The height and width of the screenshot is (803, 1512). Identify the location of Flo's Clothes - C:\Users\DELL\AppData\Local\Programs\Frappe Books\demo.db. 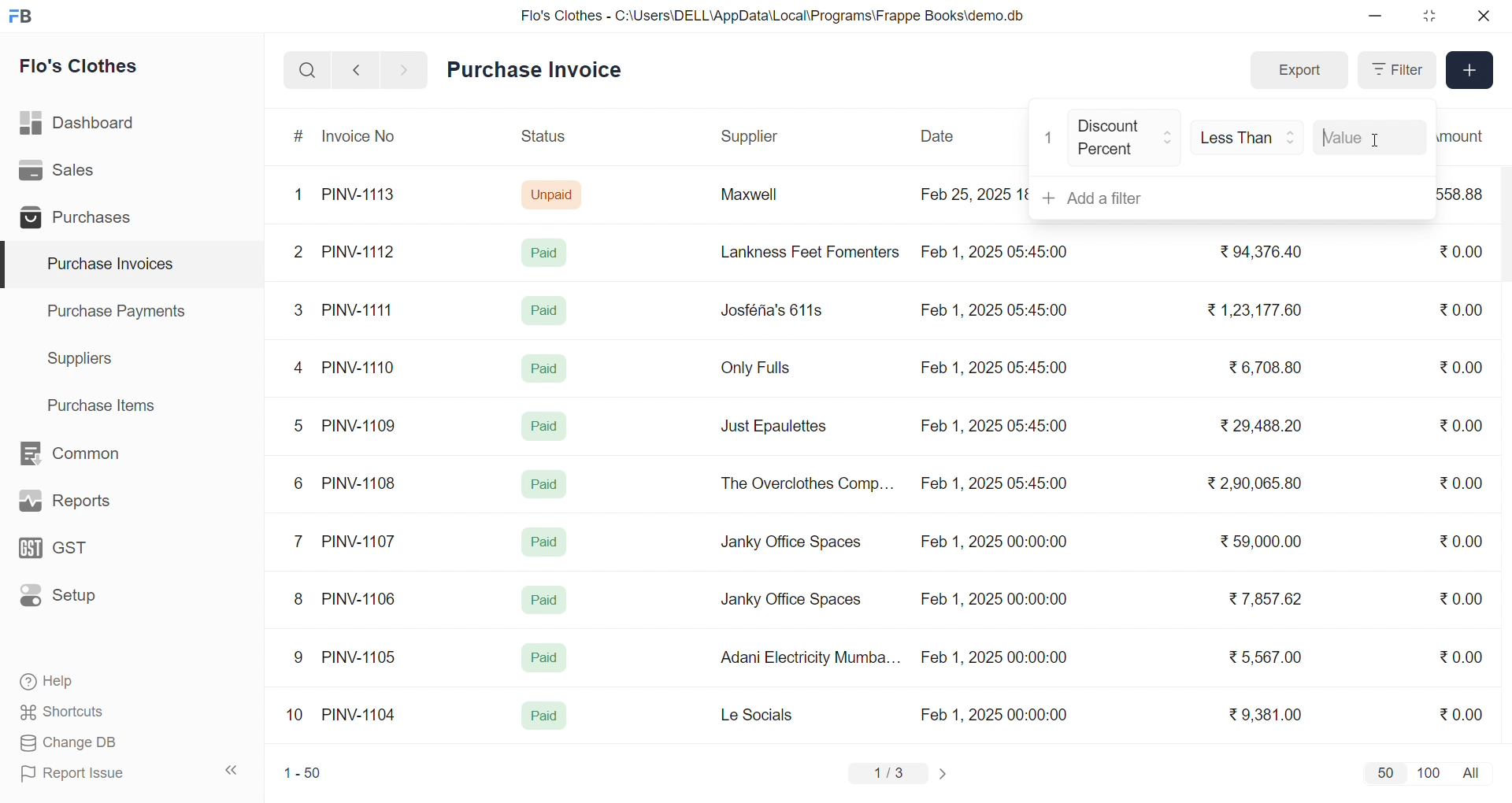
(773, 16).